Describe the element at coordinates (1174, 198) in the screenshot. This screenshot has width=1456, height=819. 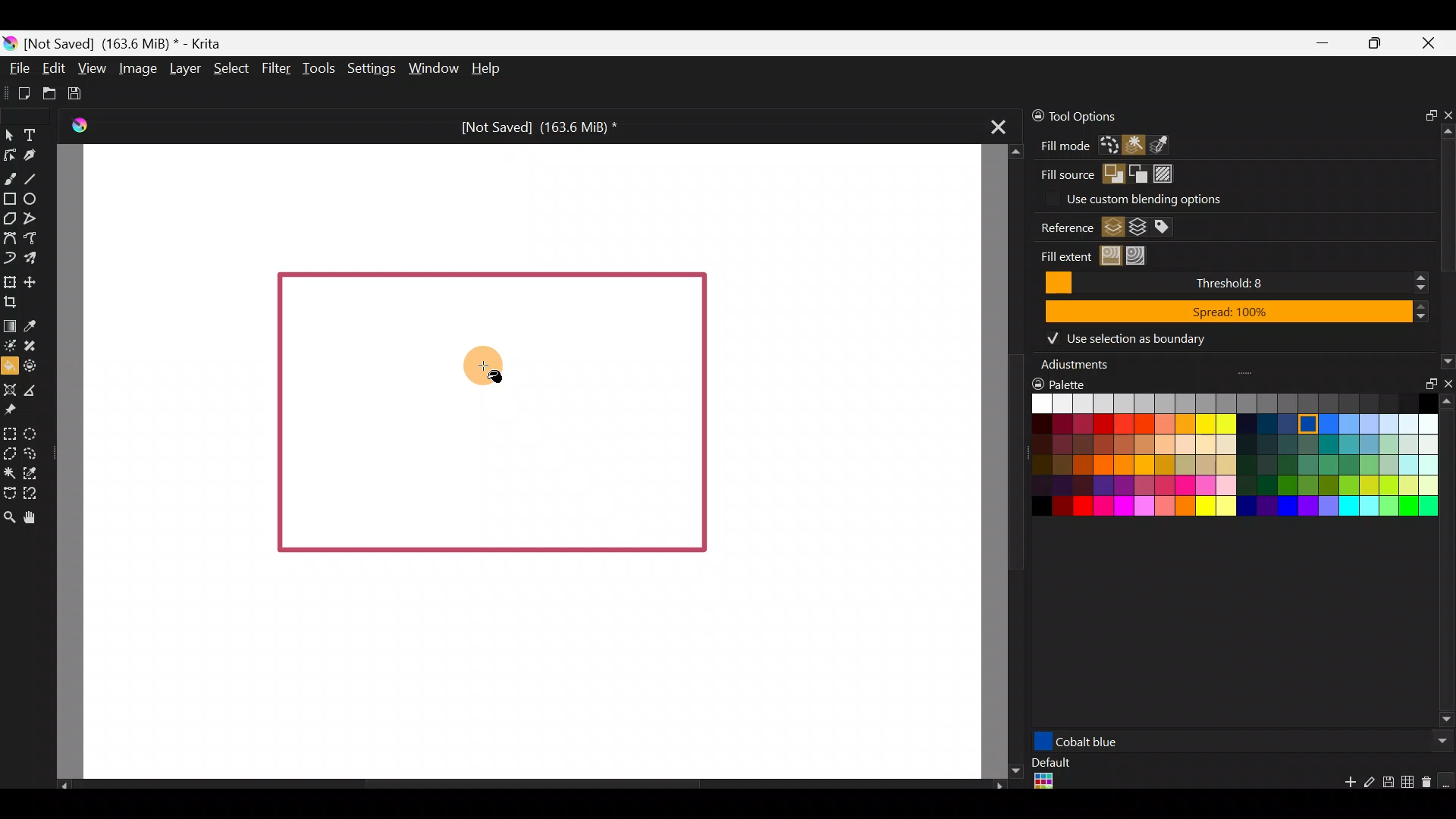
I see `Use custom blending options` at that location.